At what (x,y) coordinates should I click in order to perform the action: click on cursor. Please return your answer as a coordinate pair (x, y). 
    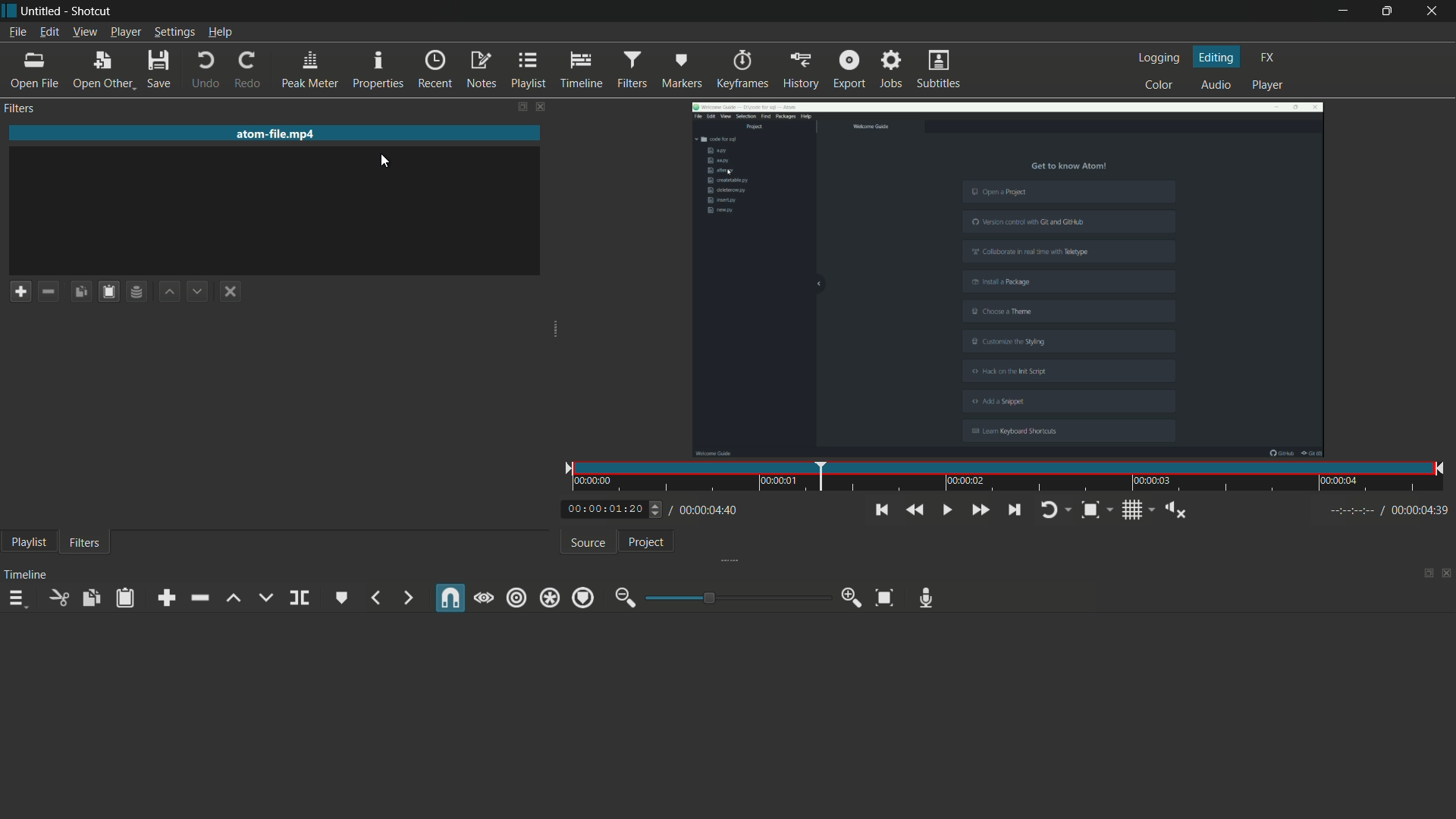
    Looking at the image, I should click on (386, 160).